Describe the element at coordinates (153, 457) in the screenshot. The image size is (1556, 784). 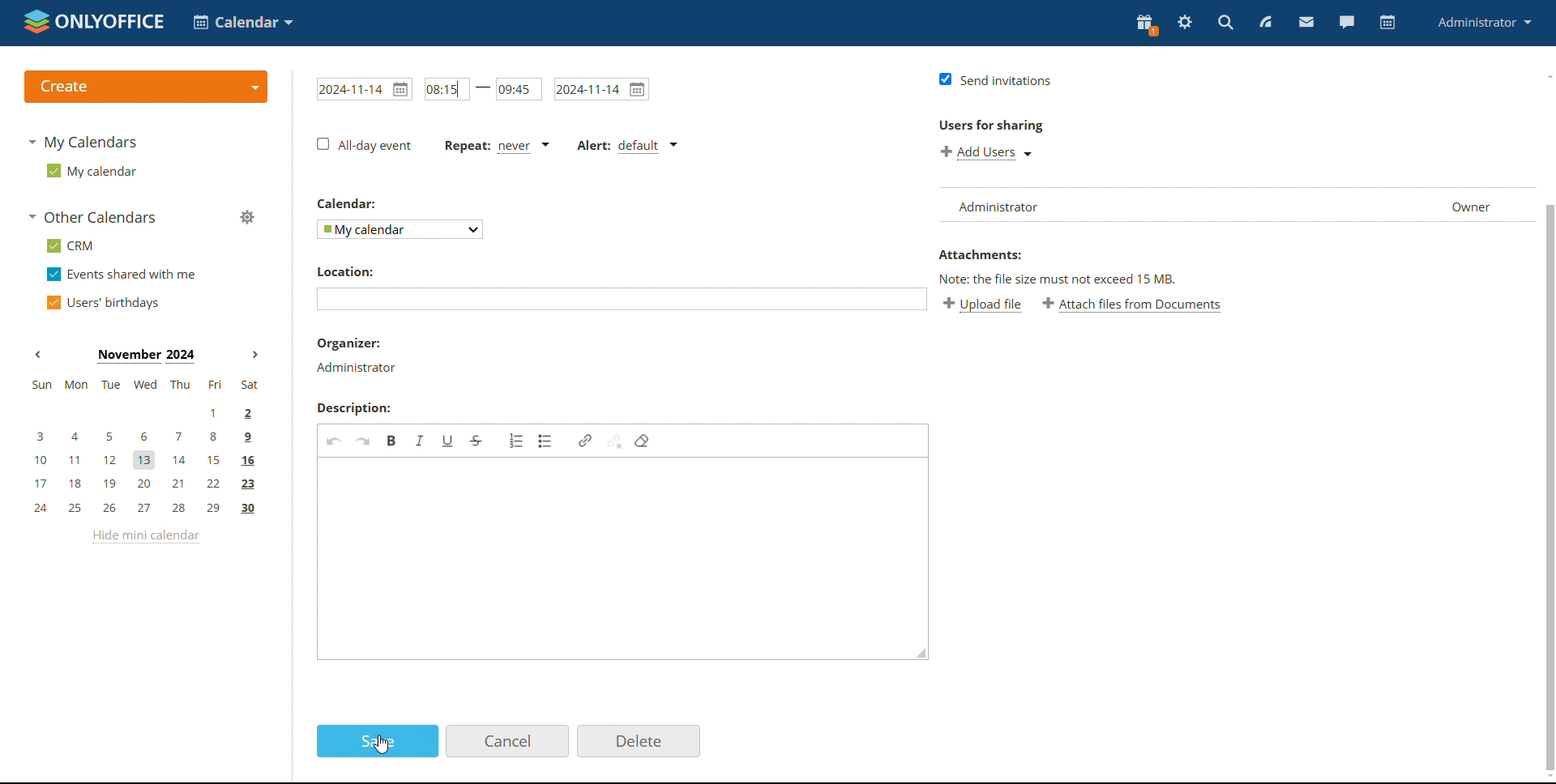
I see `10, 11, 12, 13, 14, 15, 16` at that location.